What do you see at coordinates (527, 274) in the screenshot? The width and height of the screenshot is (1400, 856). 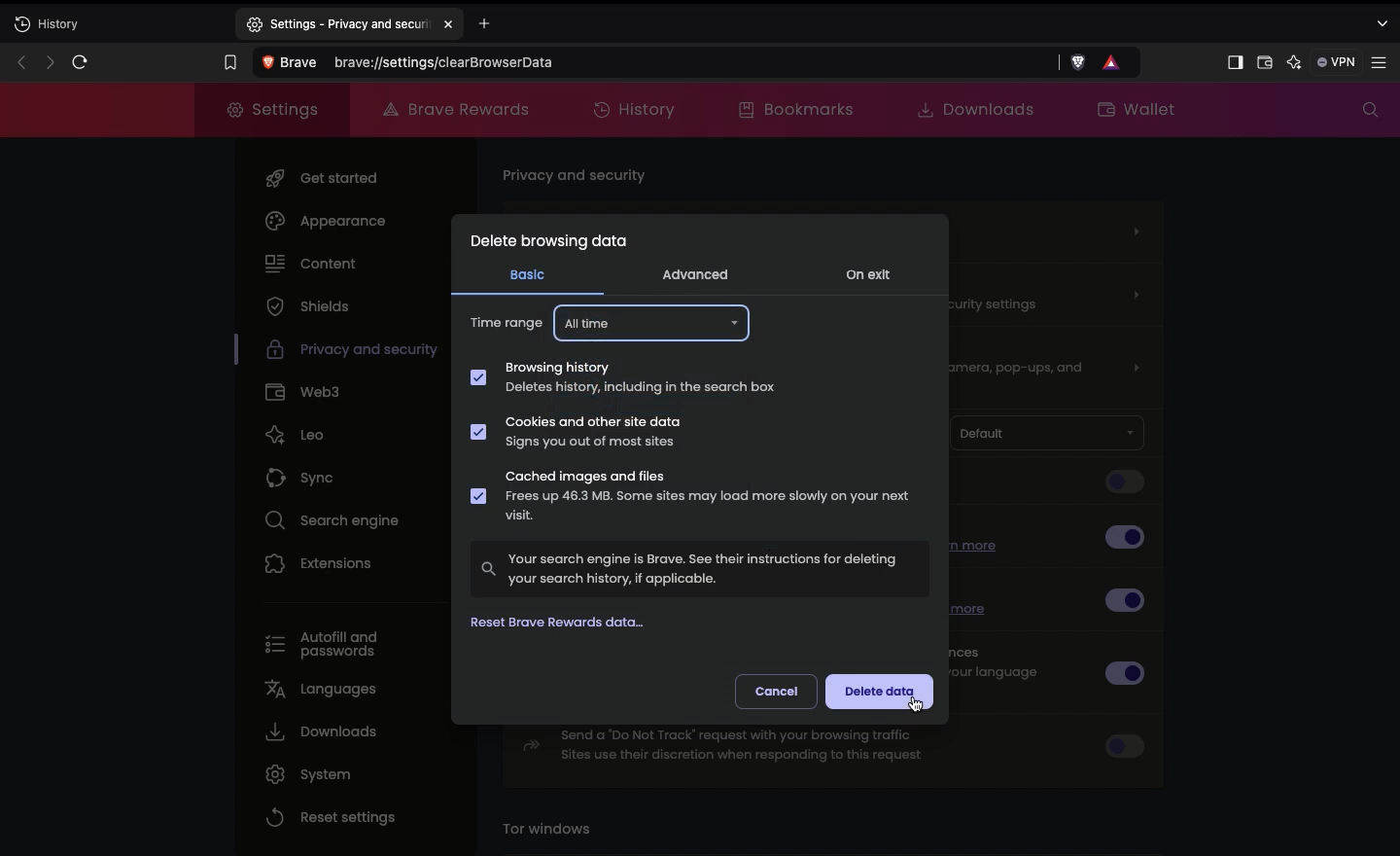 I see `Basic` at bounding box center [527, 274].